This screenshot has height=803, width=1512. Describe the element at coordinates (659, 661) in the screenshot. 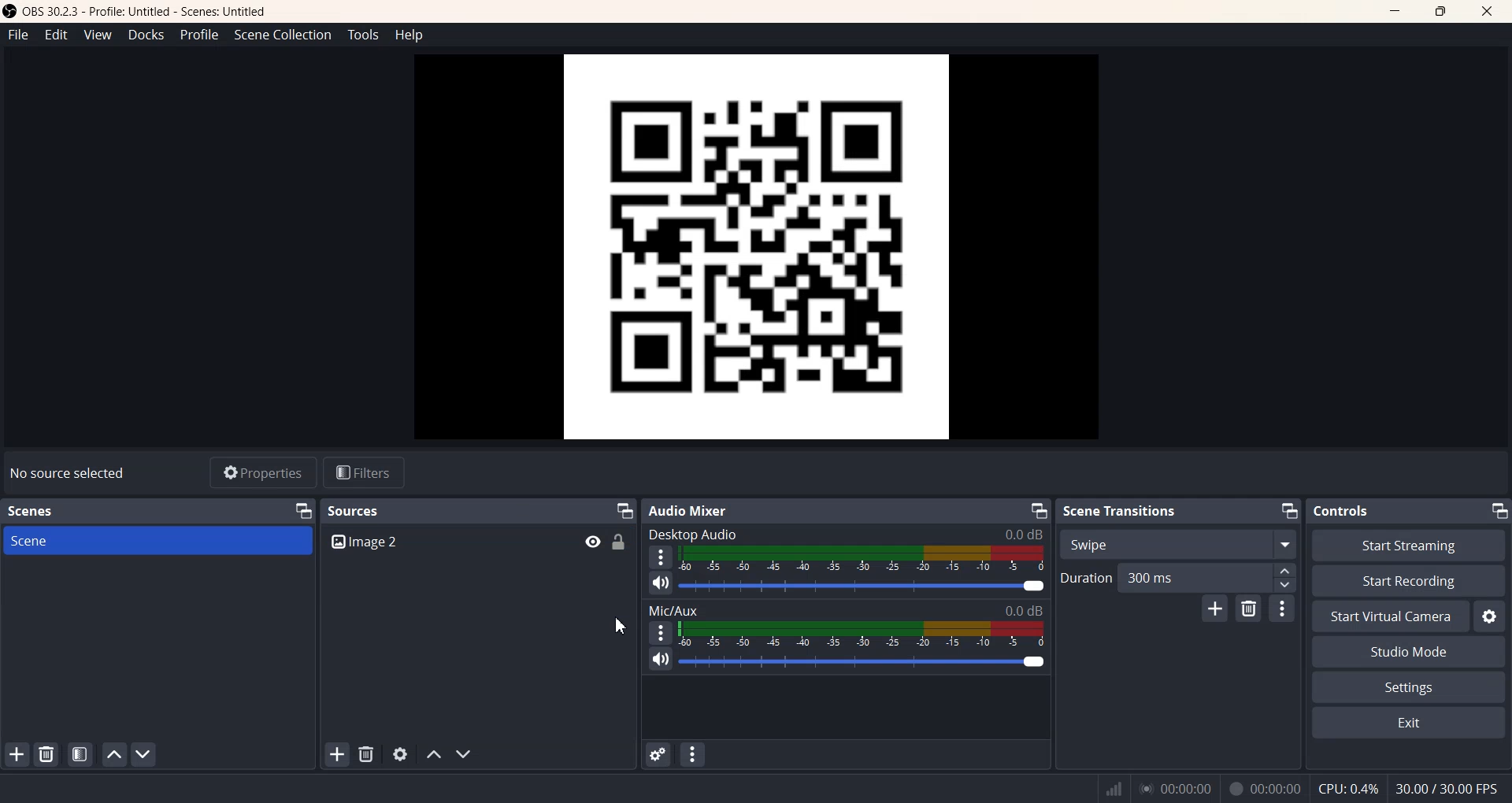

I see `Unmute/ Mute` at that location.